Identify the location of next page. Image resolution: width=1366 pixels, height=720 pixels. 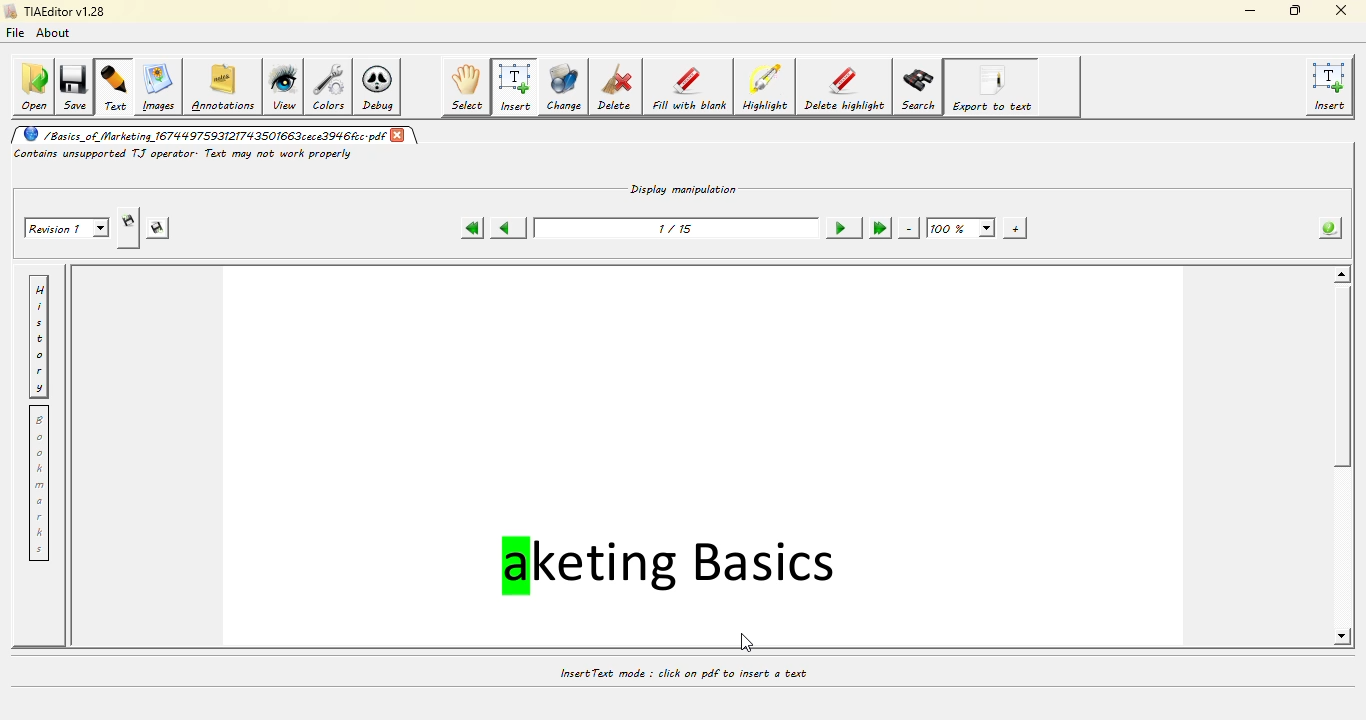
(838, 227).